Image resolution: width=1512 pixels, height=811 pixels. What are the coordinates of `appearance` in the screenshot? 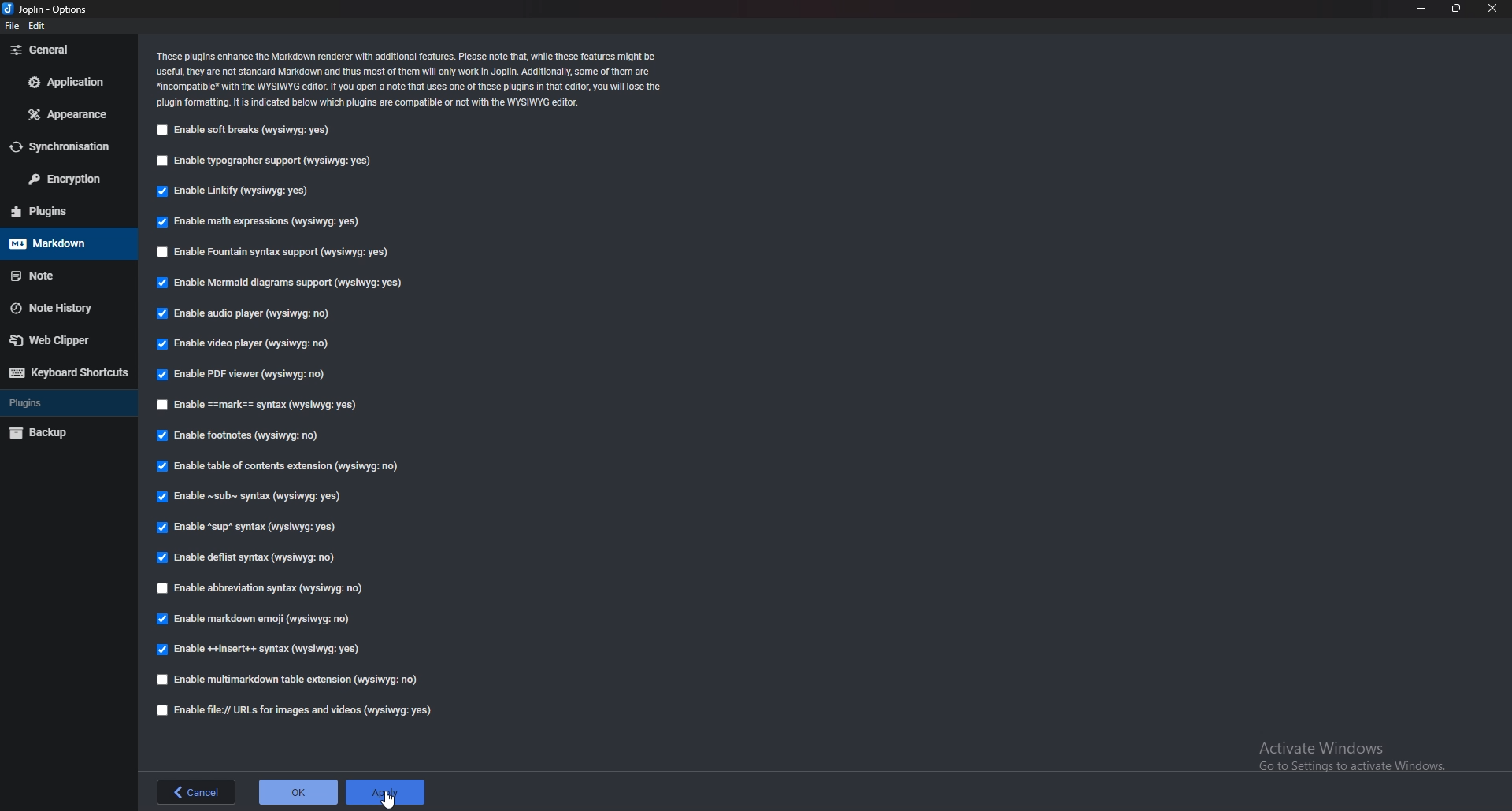 It's located at (65, 116).